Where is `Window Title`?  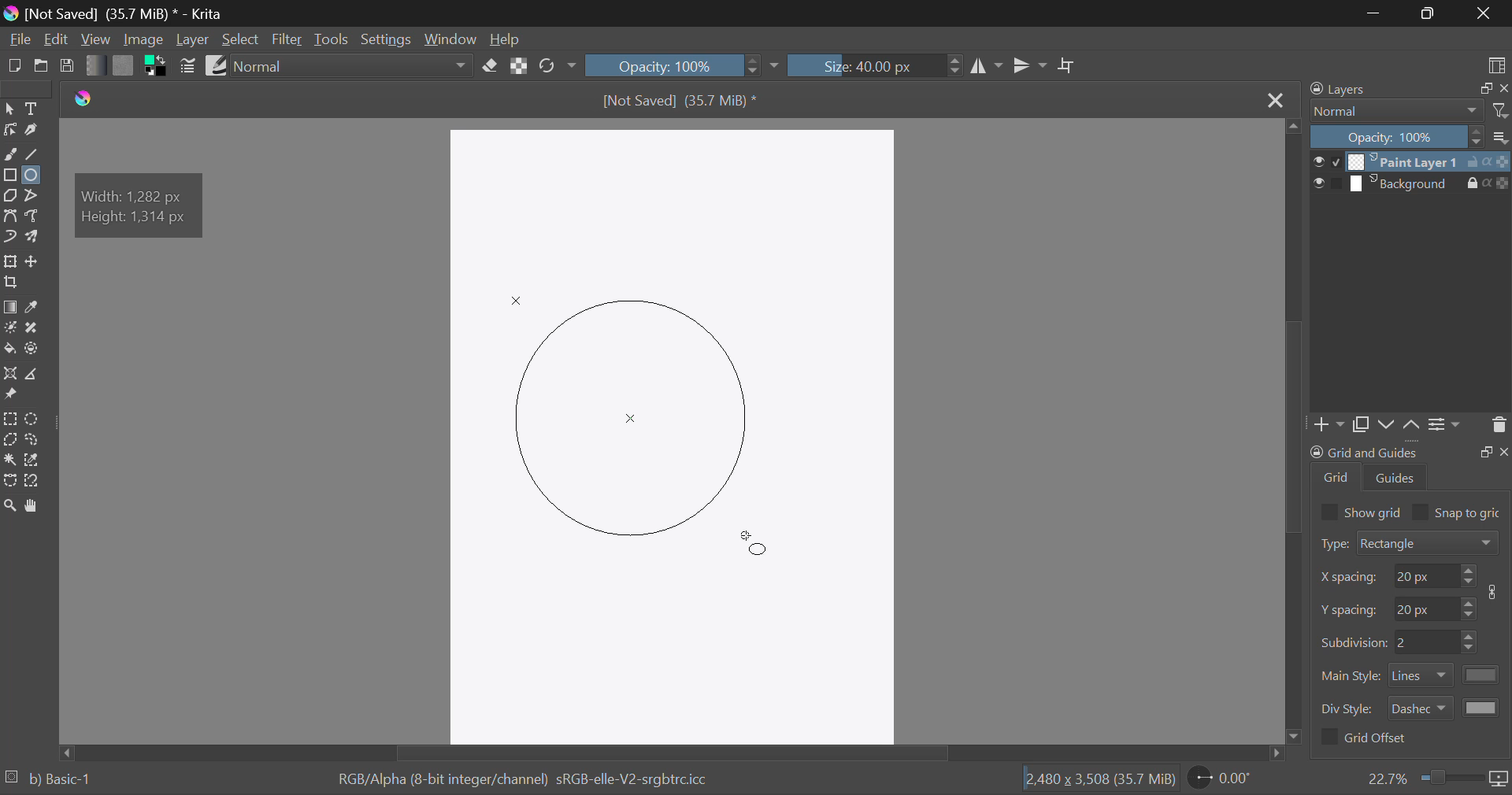 Window Title is located at coordinates (115, 13).